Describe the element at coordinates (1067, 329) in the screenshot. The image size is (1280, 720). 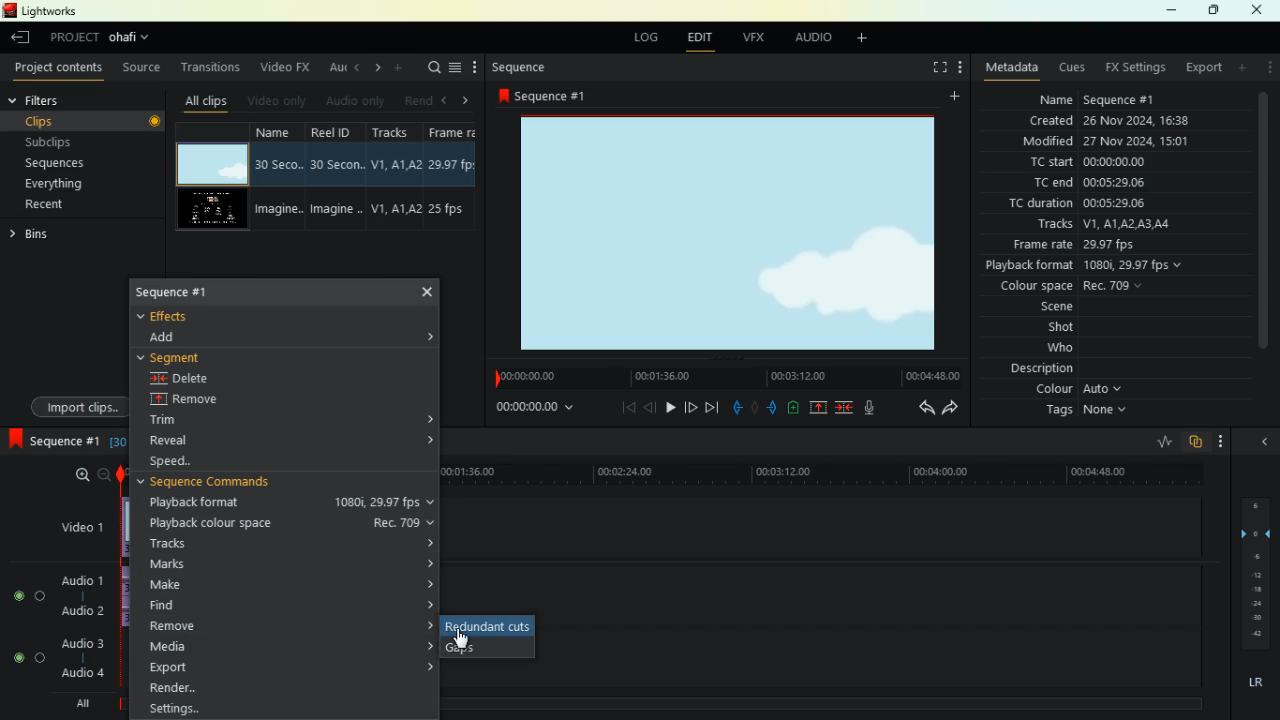
I see `shot` at that location.